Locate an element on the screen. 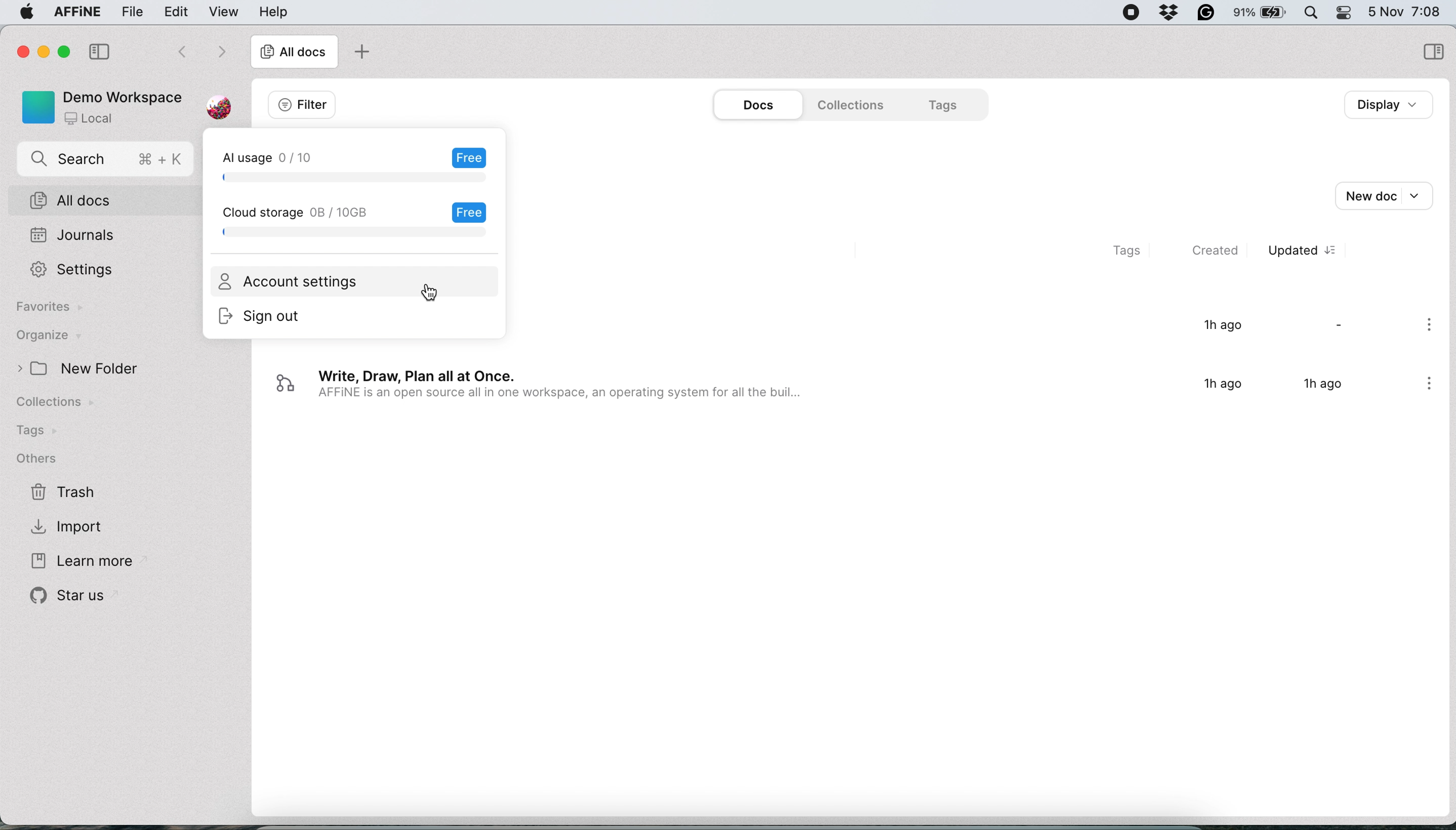 This screenshot has width=1456, height=830. tags is located at coordinates (1122, 251).